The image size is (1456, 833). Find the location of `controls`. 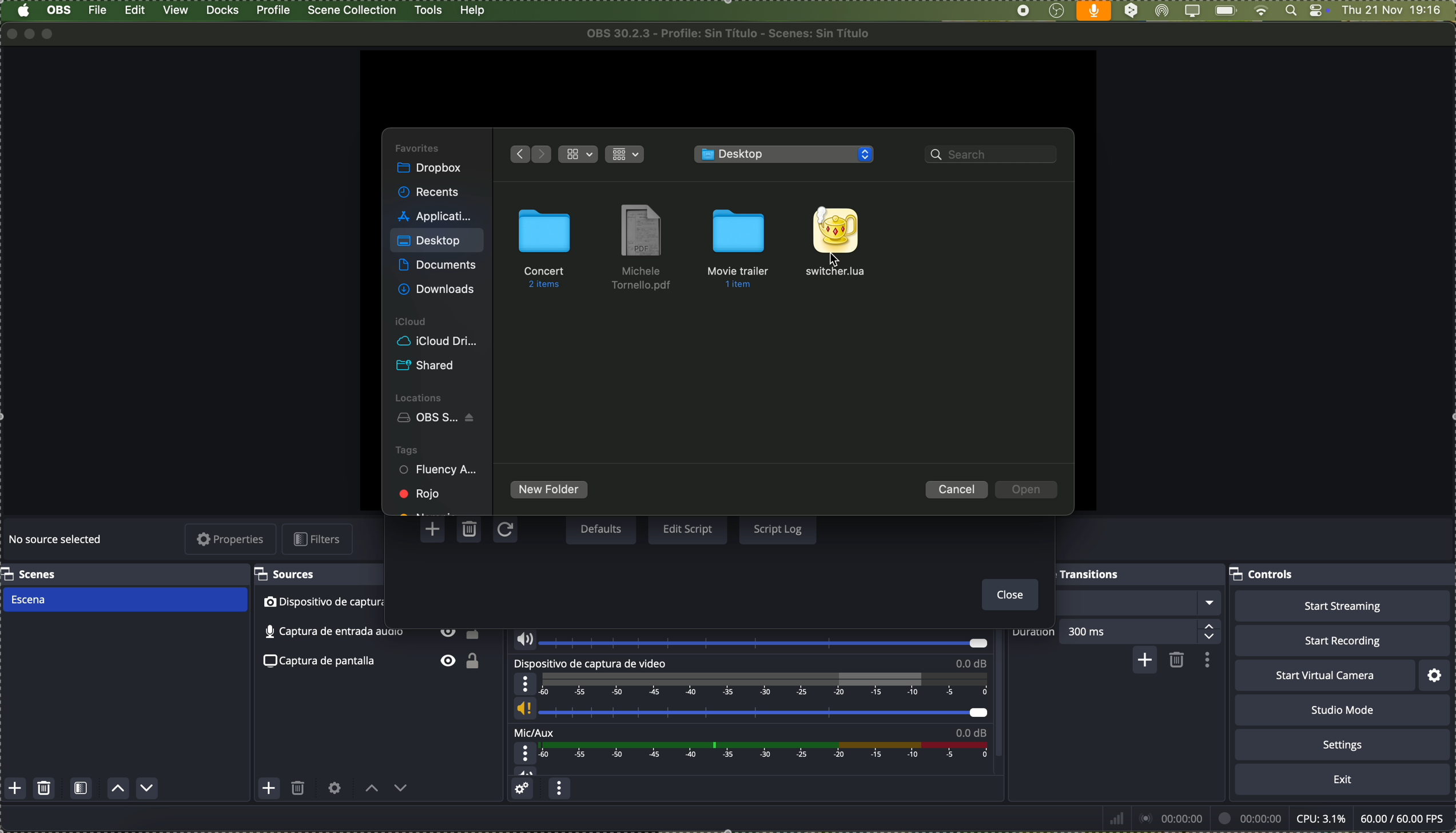

controls is located at coordinates (1319, 11).